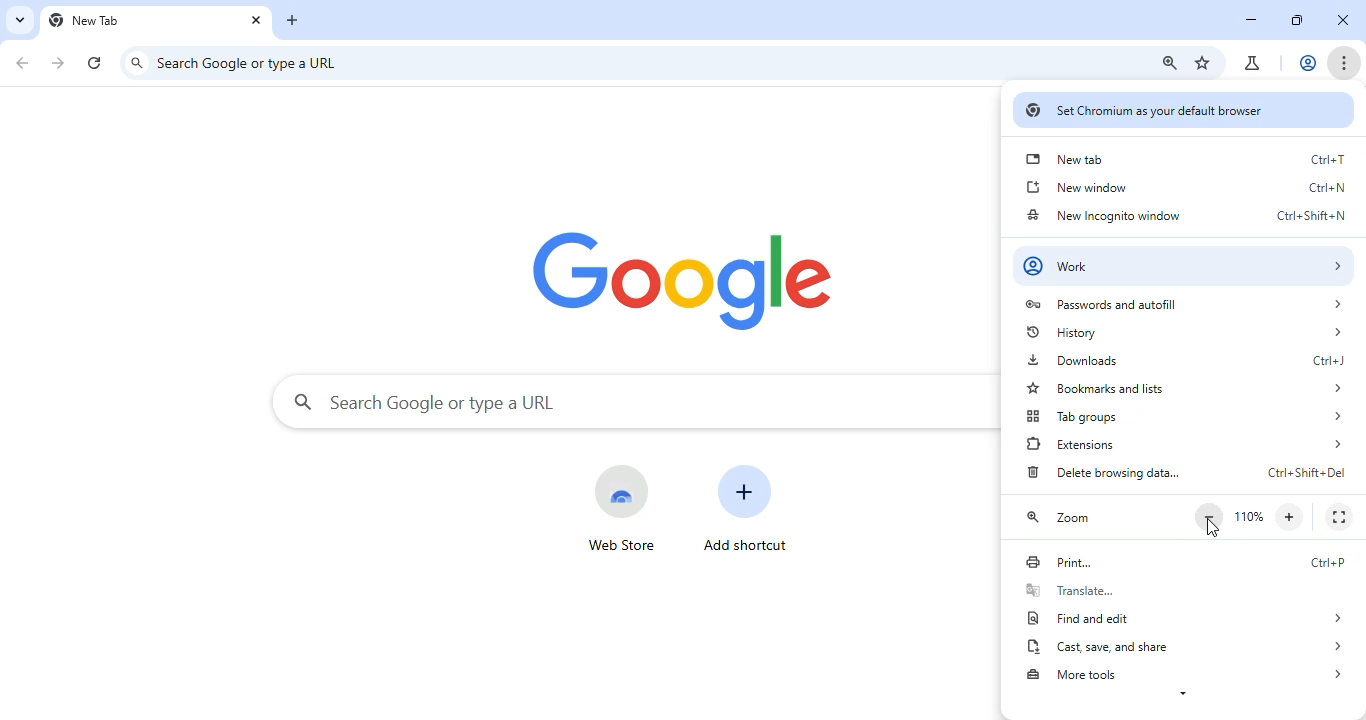 This screenshot has height=720, width=1366. What do you see at coordinates (1251, 515) in the screenshot?
I see `110%` at bounding box center [1251, 515].